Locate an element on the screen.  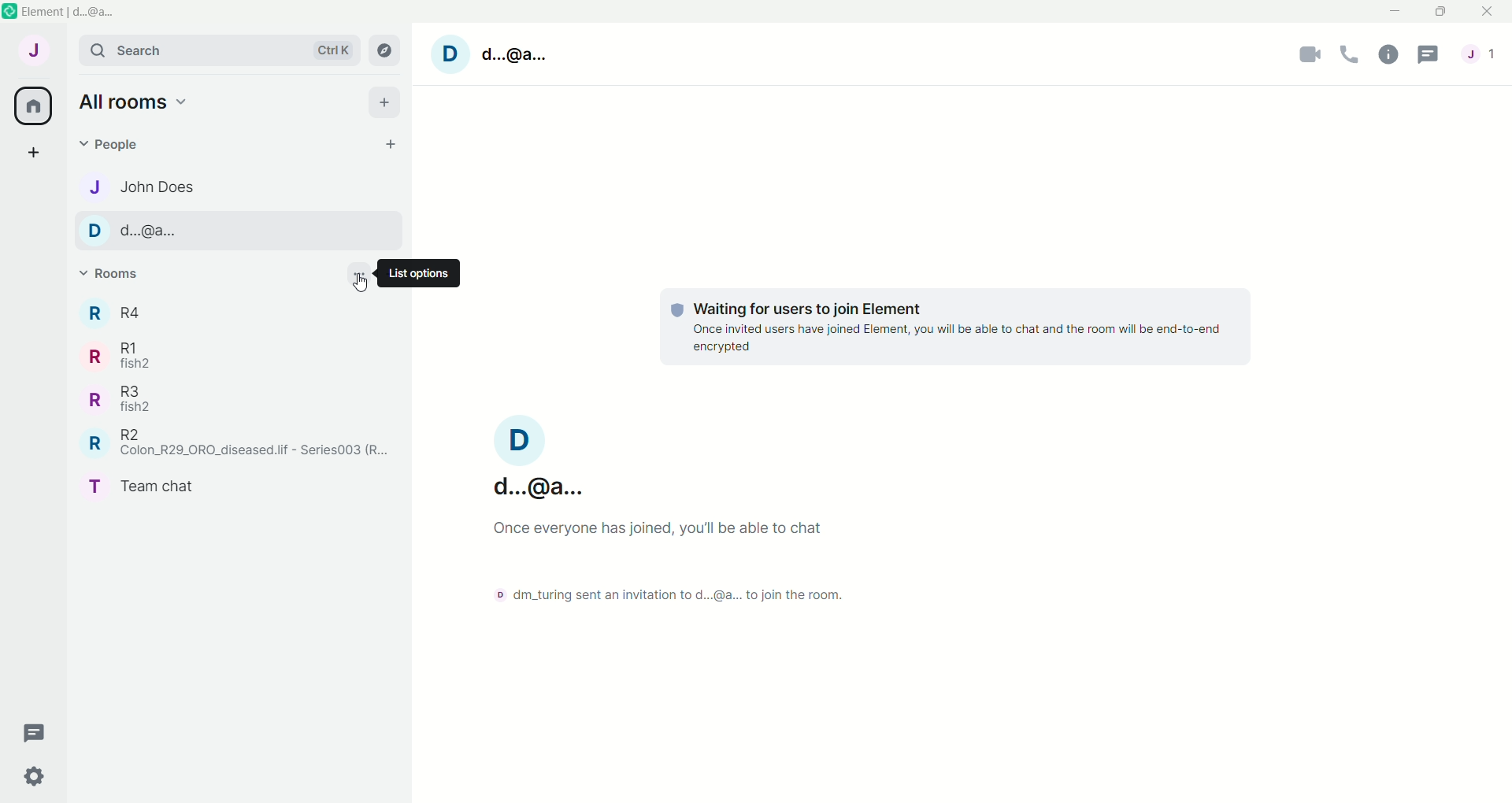
Search bar is located at coordinates (217, 51).